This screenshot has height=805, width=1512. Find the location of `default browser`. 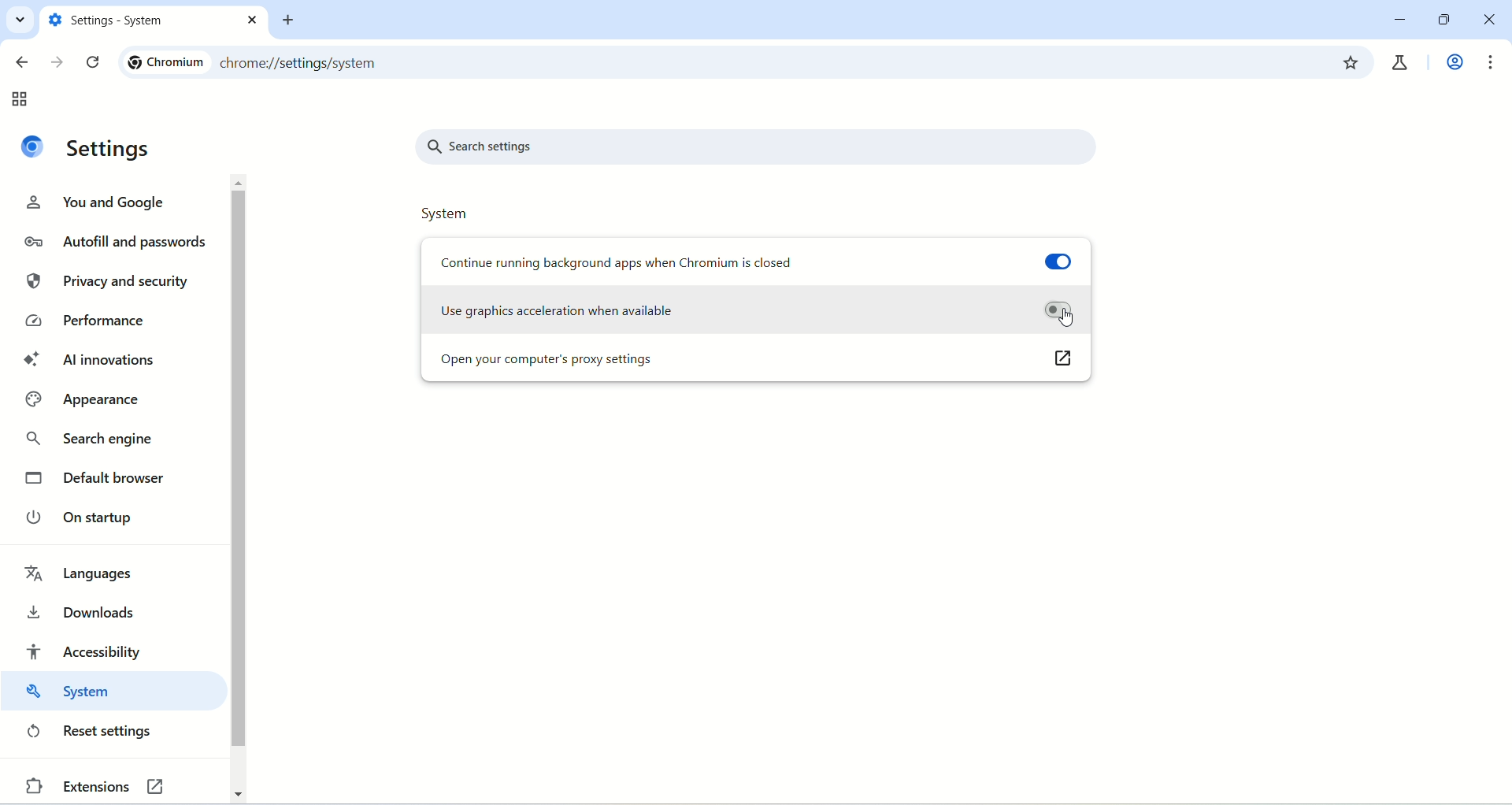

default browser is located at coordinates (106, 480).